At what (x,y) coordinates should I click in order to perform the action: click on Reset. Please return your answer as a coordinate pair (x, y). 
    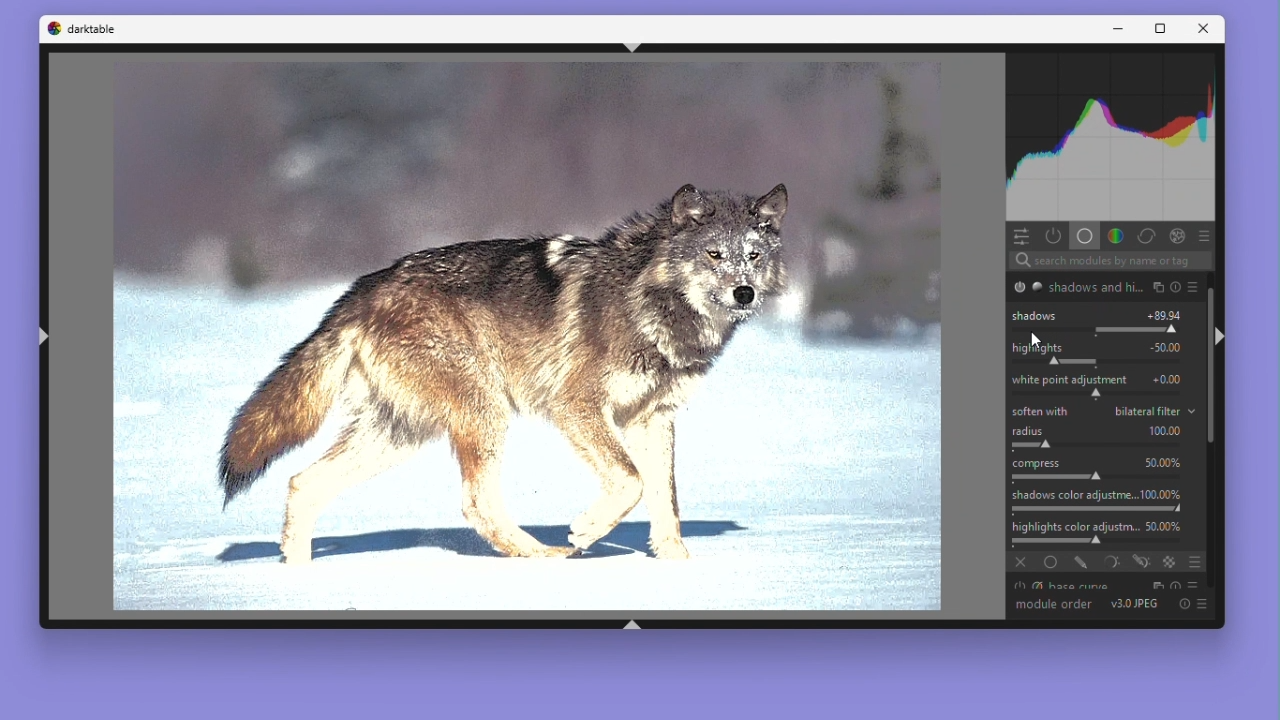
    Looking at the image, I should click on (1188, 607).